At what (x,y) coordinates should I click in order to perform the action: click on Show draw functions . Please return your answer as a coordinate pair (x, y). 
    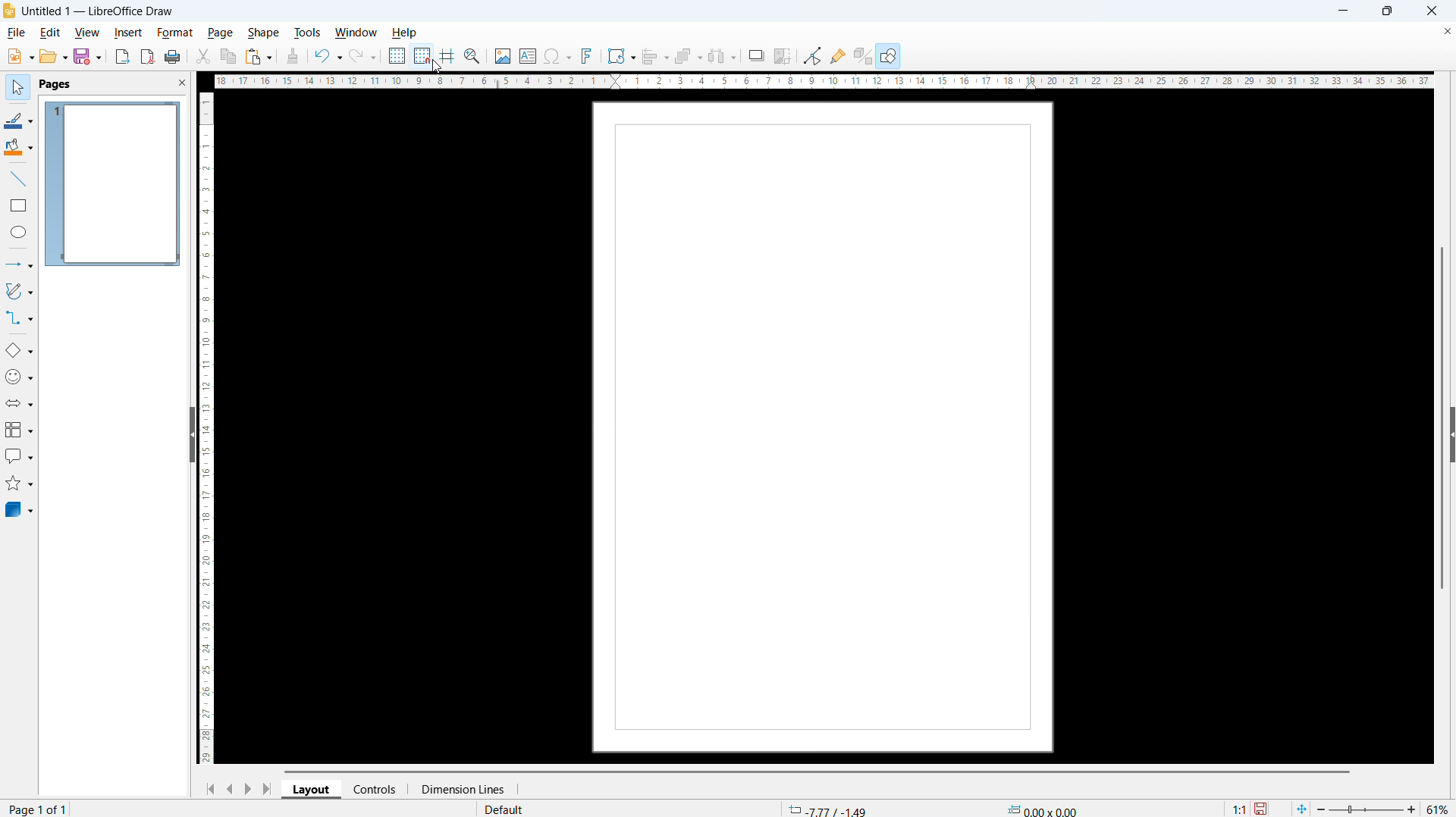
    Looking at the image, I should click on (888, 55).